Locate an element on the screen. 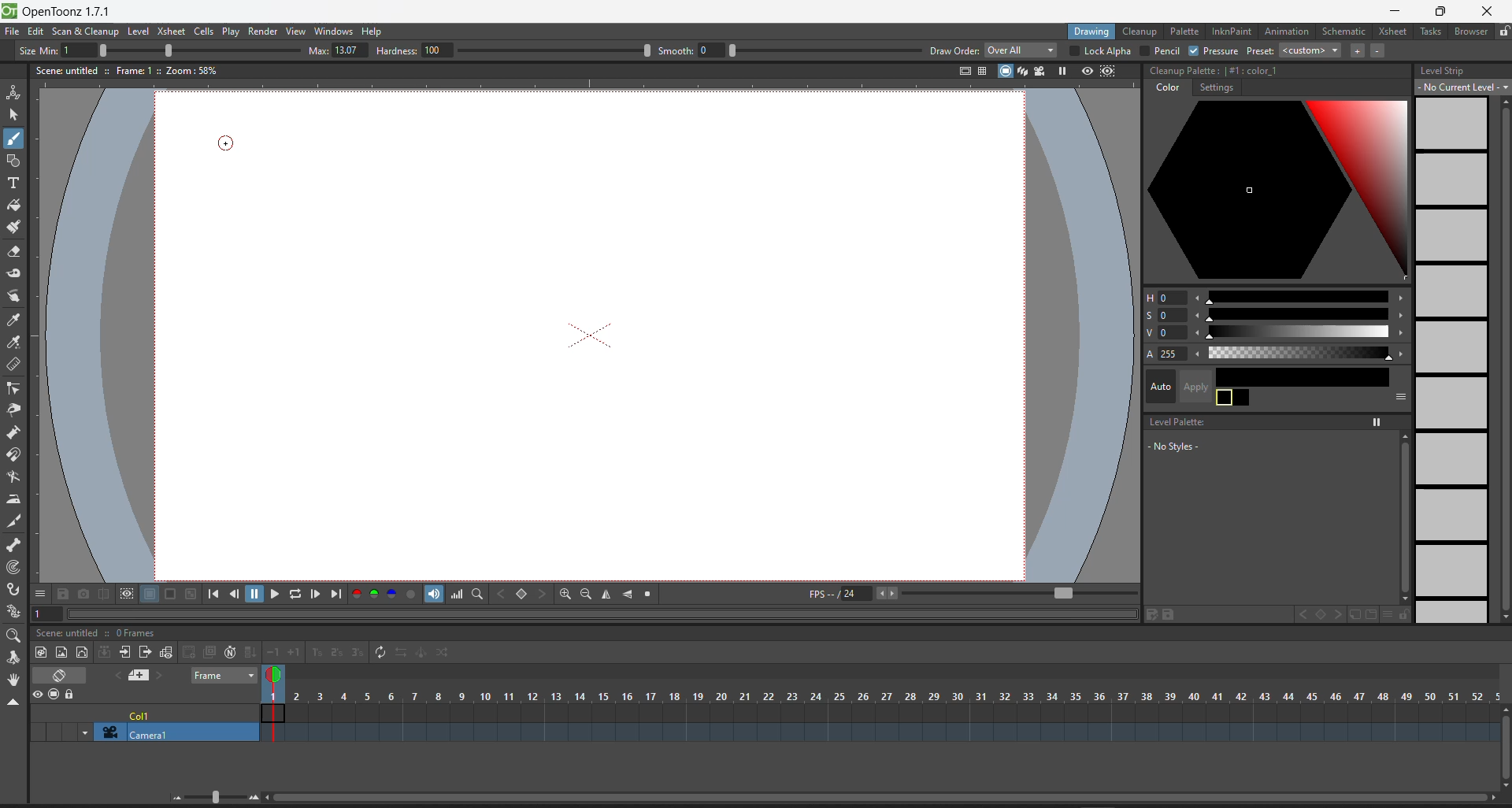 The image size is (1512, 808). xsheet is located at coordinates (1389, 32).